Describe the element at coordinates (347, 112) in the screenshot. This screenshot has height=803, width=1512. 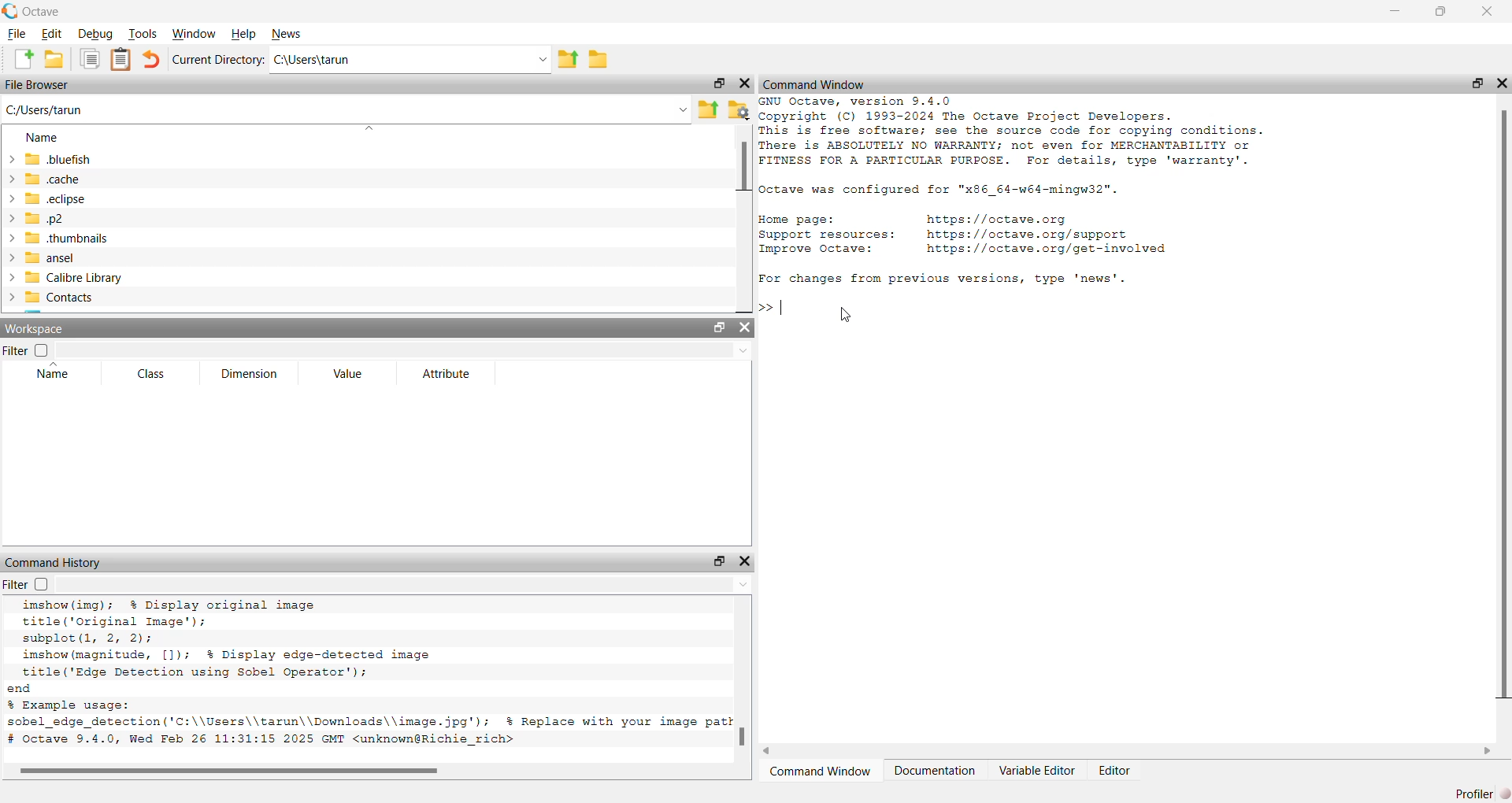
I see `C:/Users/tarun` at that location.